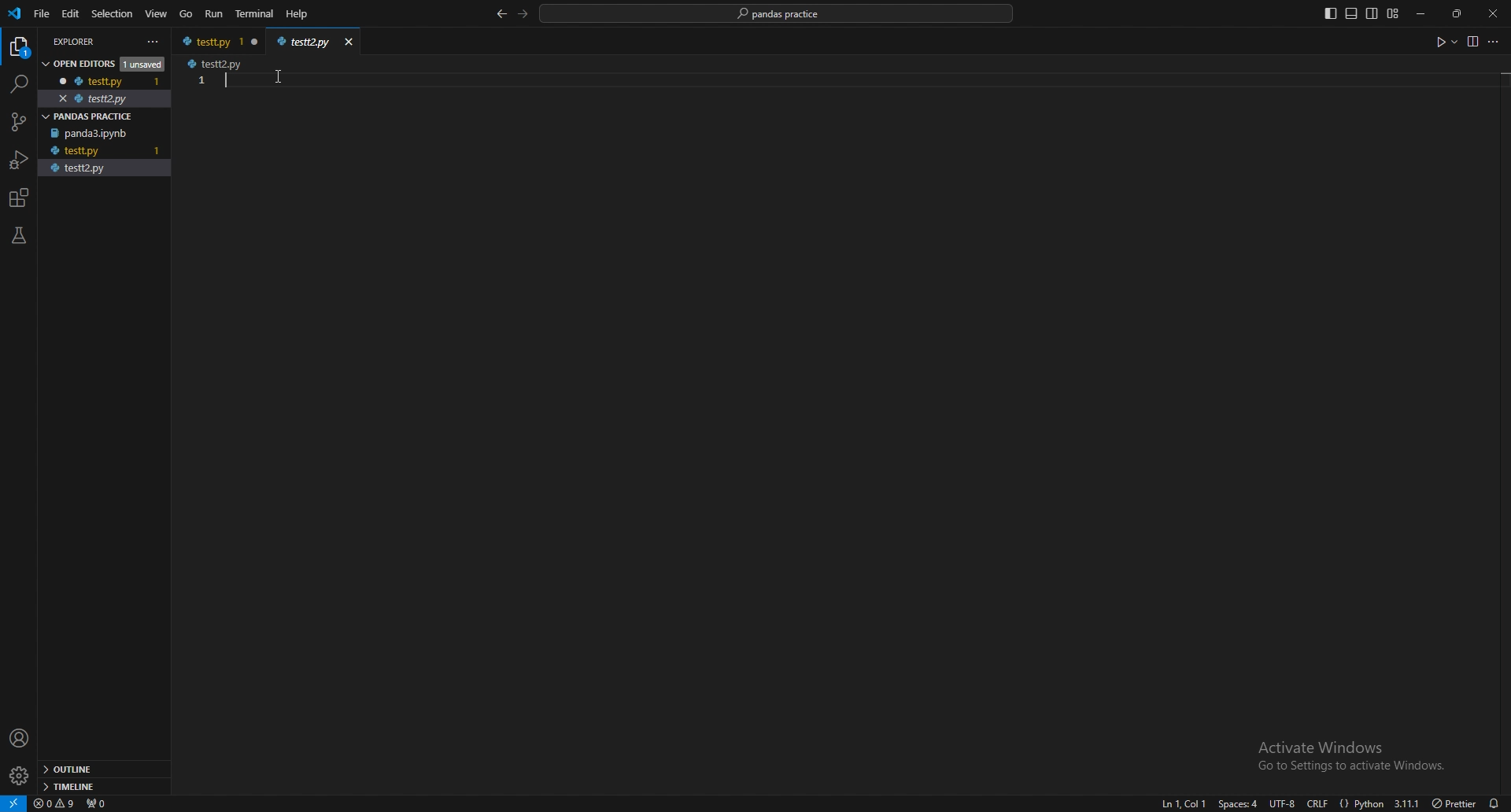 The width and height of the screenshot is (1511, 812). I want to click on explorer, so click(91, 40).